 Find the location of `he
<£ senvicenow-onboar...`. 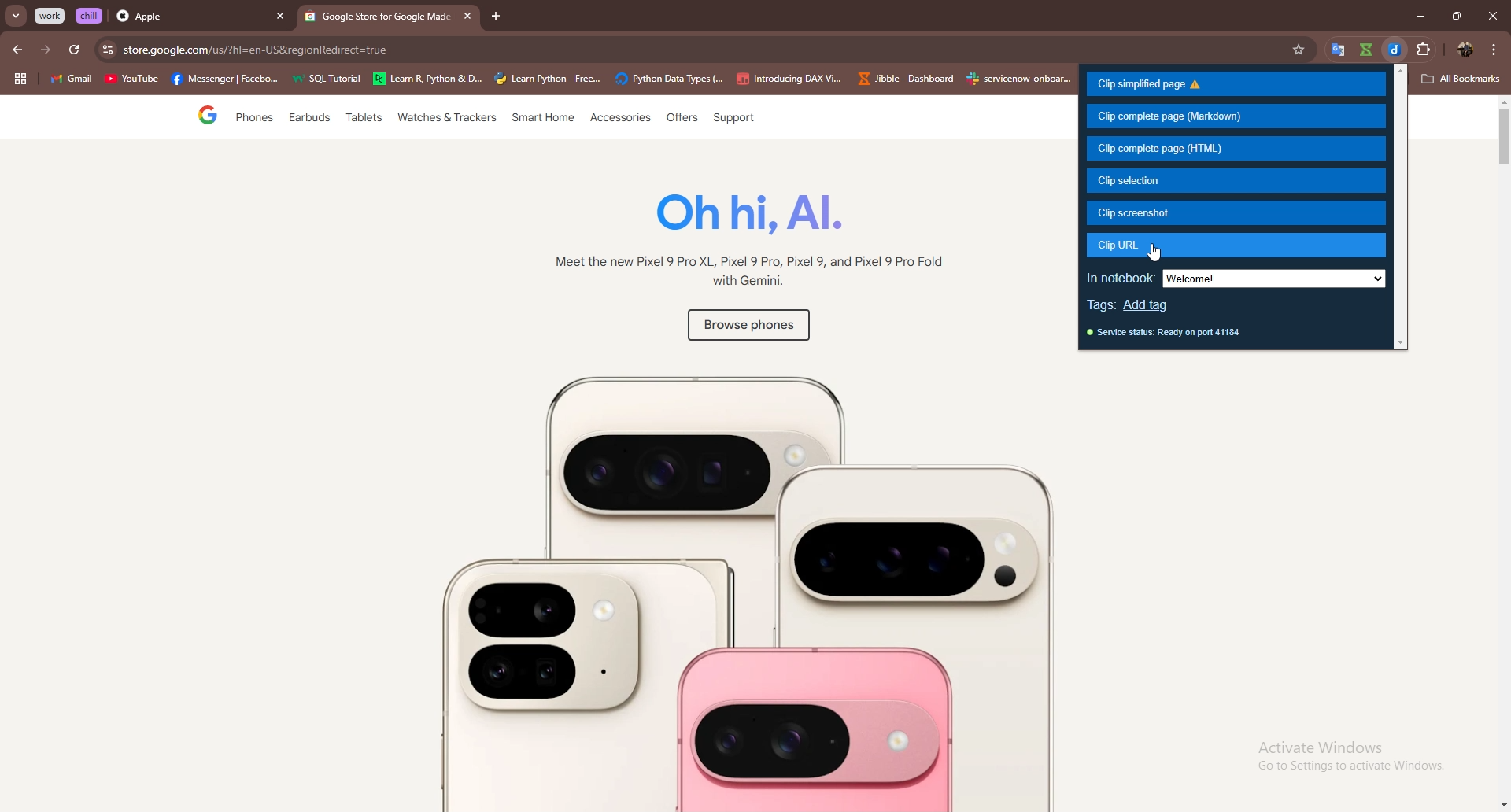

he
<£ senvicenow-onboar... is located at coordinates (1020, 79).